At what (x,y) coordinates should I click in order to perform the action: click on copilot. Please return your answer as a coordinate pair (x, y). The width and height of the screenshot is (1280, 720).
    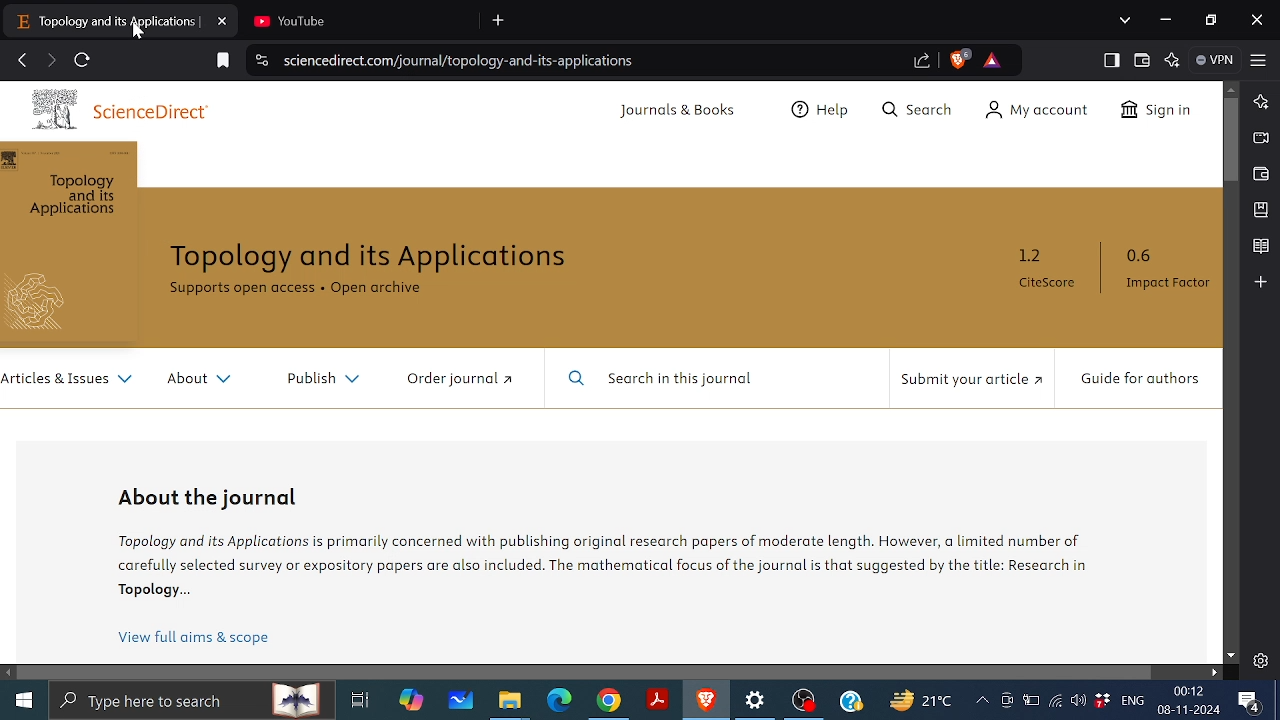
    Looking at the image, I should click on (412, 700).